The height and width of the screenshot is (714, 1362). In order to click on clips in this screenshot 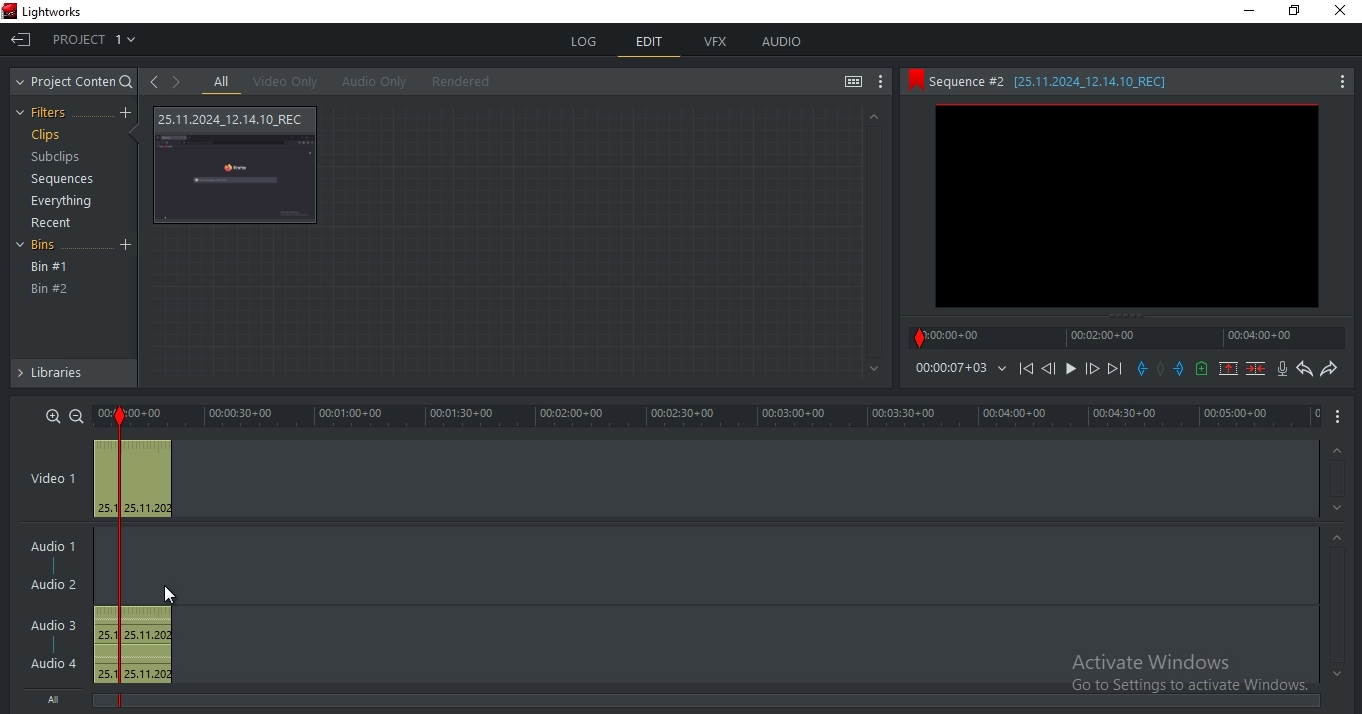, I will do `click(45, 135)`.